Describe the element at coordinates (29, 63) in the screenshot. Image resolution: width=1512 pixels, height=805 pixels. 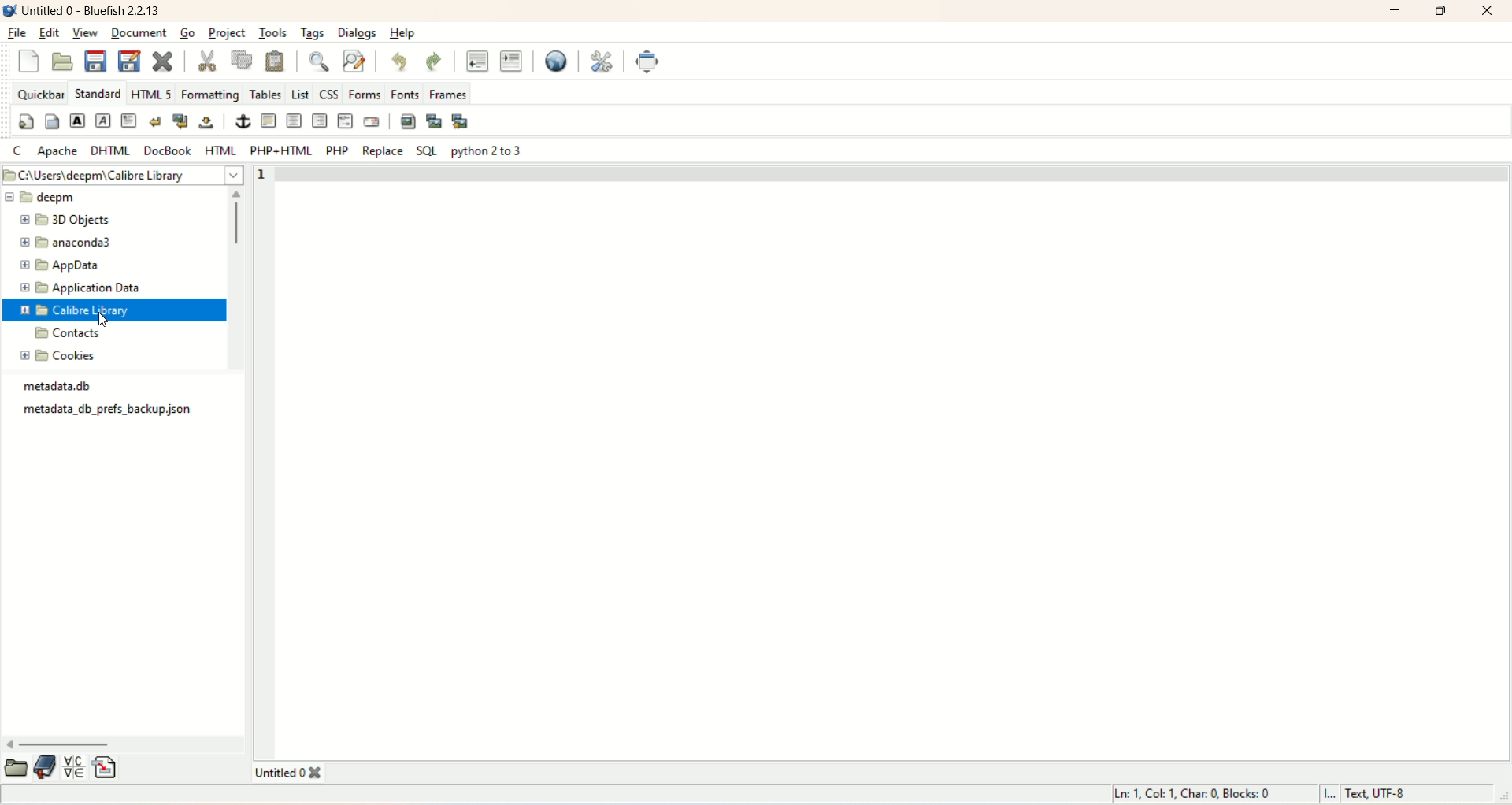
I see `new` at that location.